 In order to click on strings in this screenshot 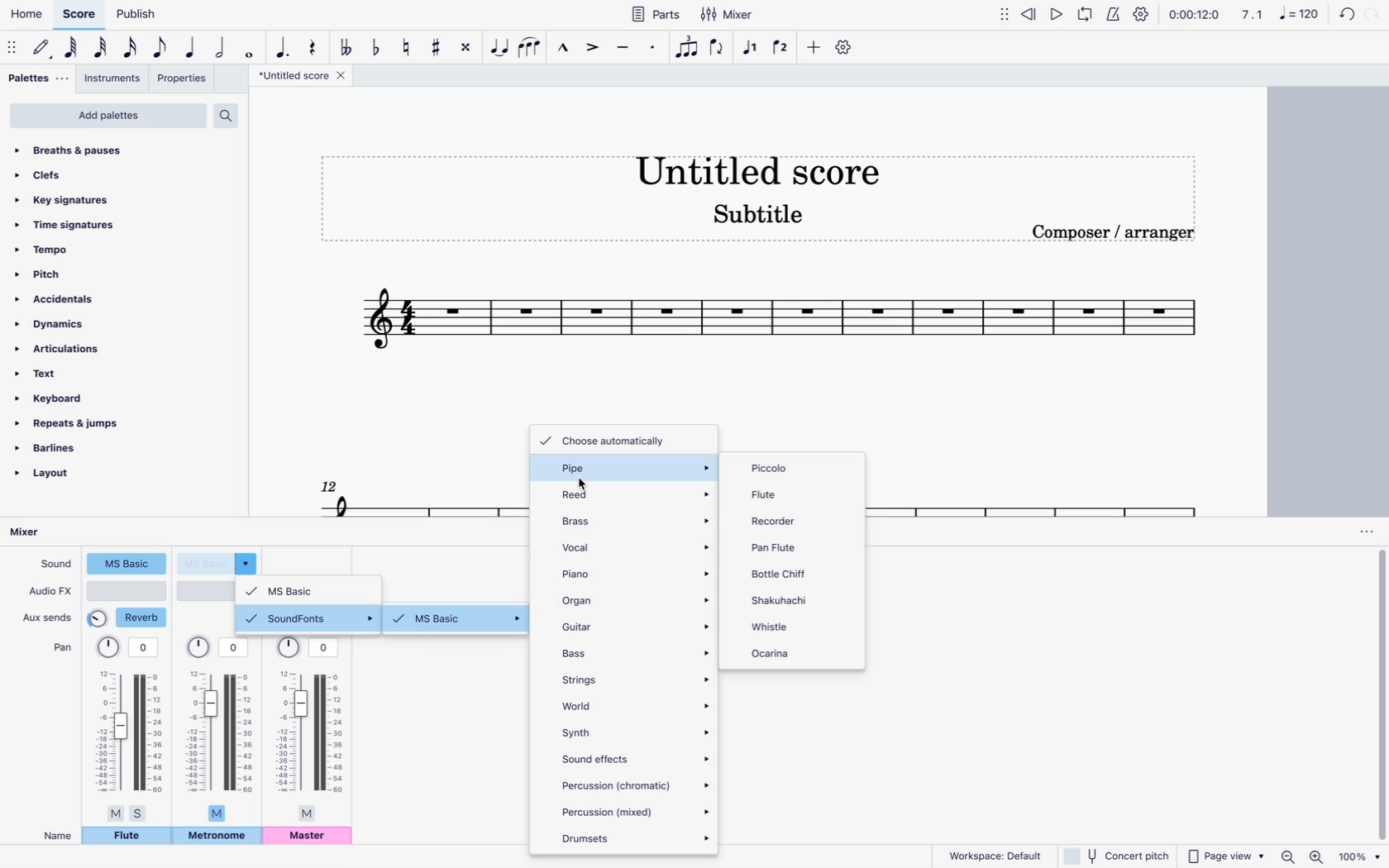, I will do `click(633, 676)`.